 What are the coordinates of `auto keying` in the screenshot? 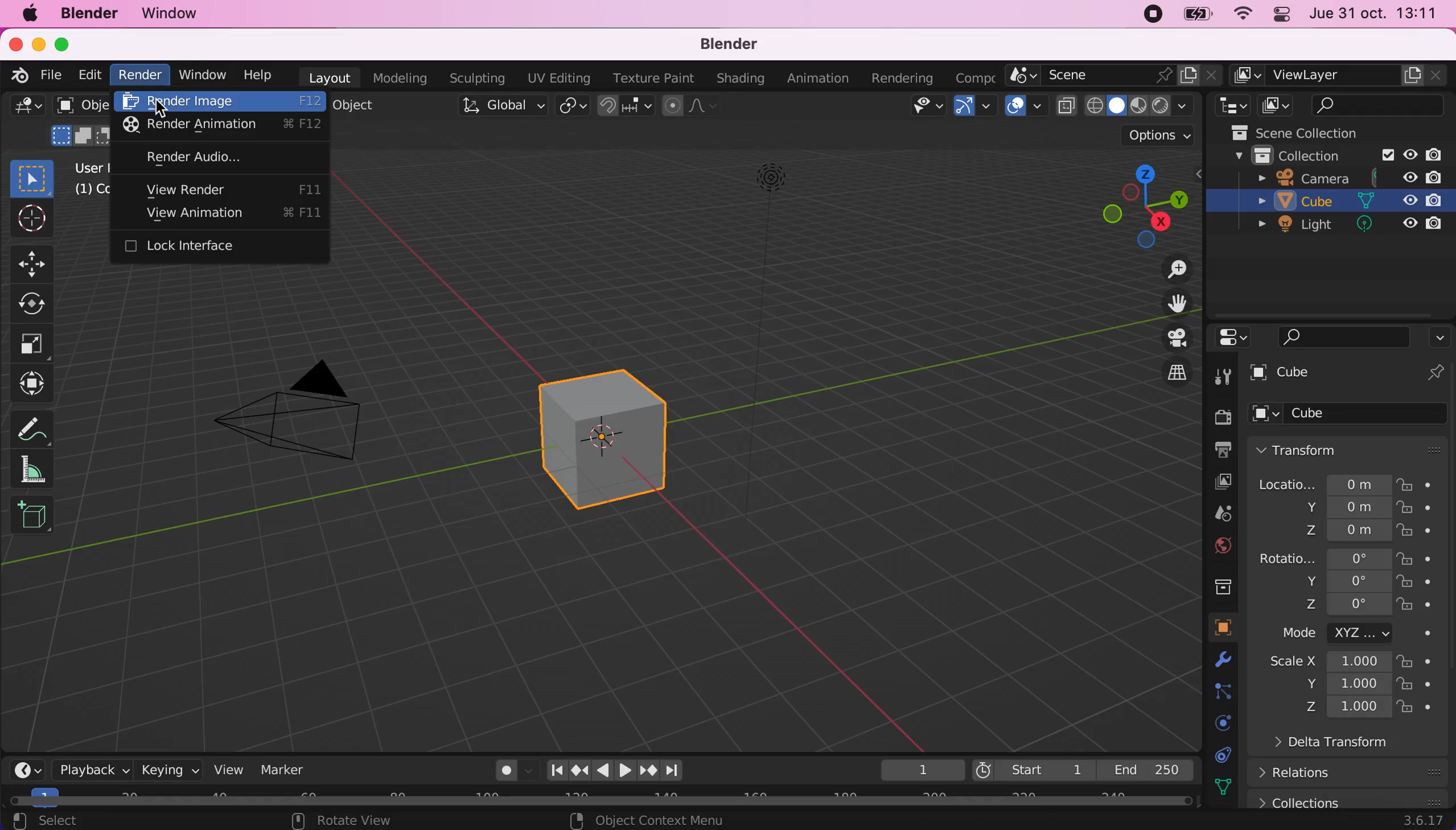 It's located at (505, 773).